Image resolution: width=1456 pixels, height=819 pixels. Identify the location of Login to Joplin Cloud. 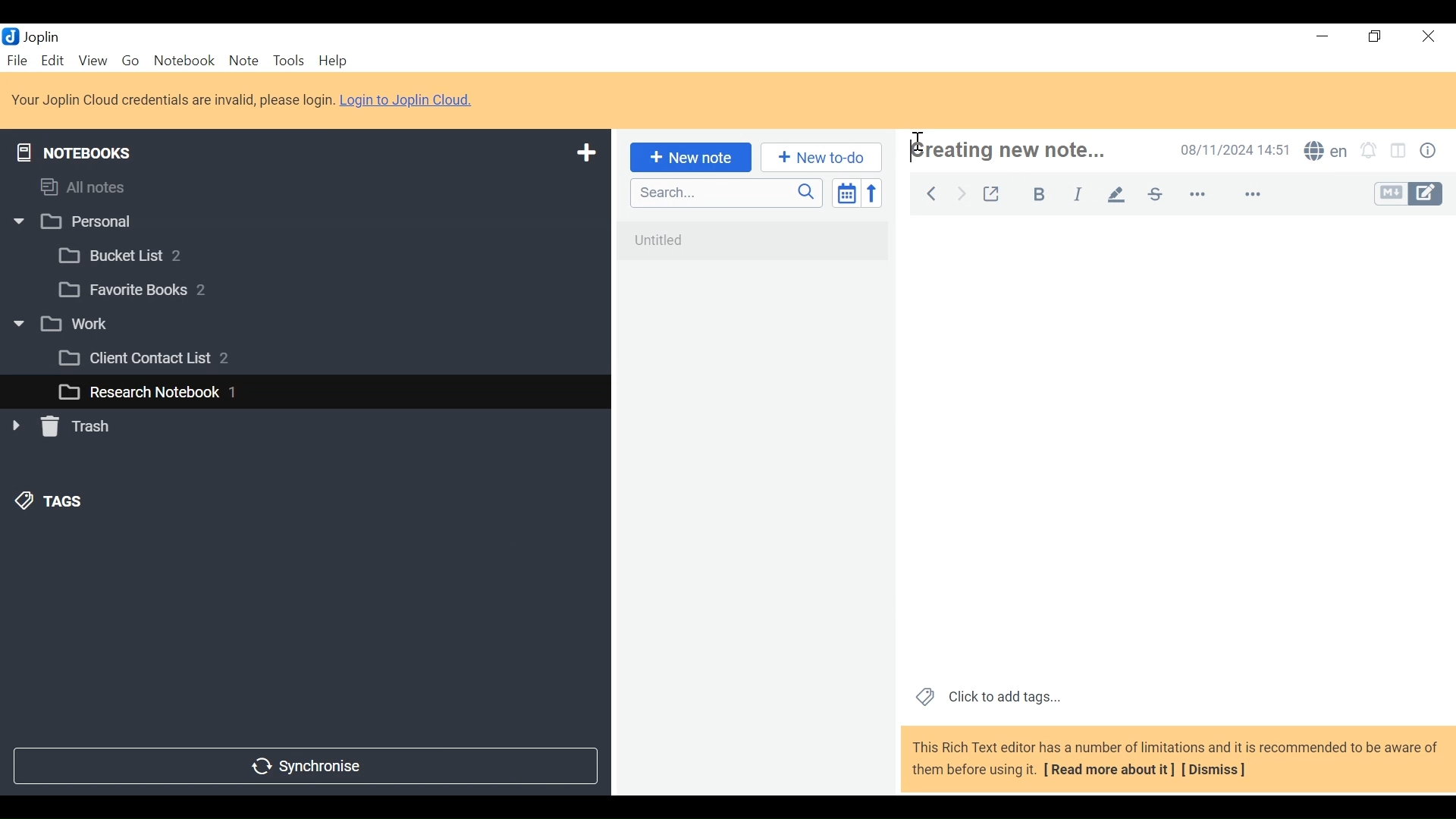
(172, 100).